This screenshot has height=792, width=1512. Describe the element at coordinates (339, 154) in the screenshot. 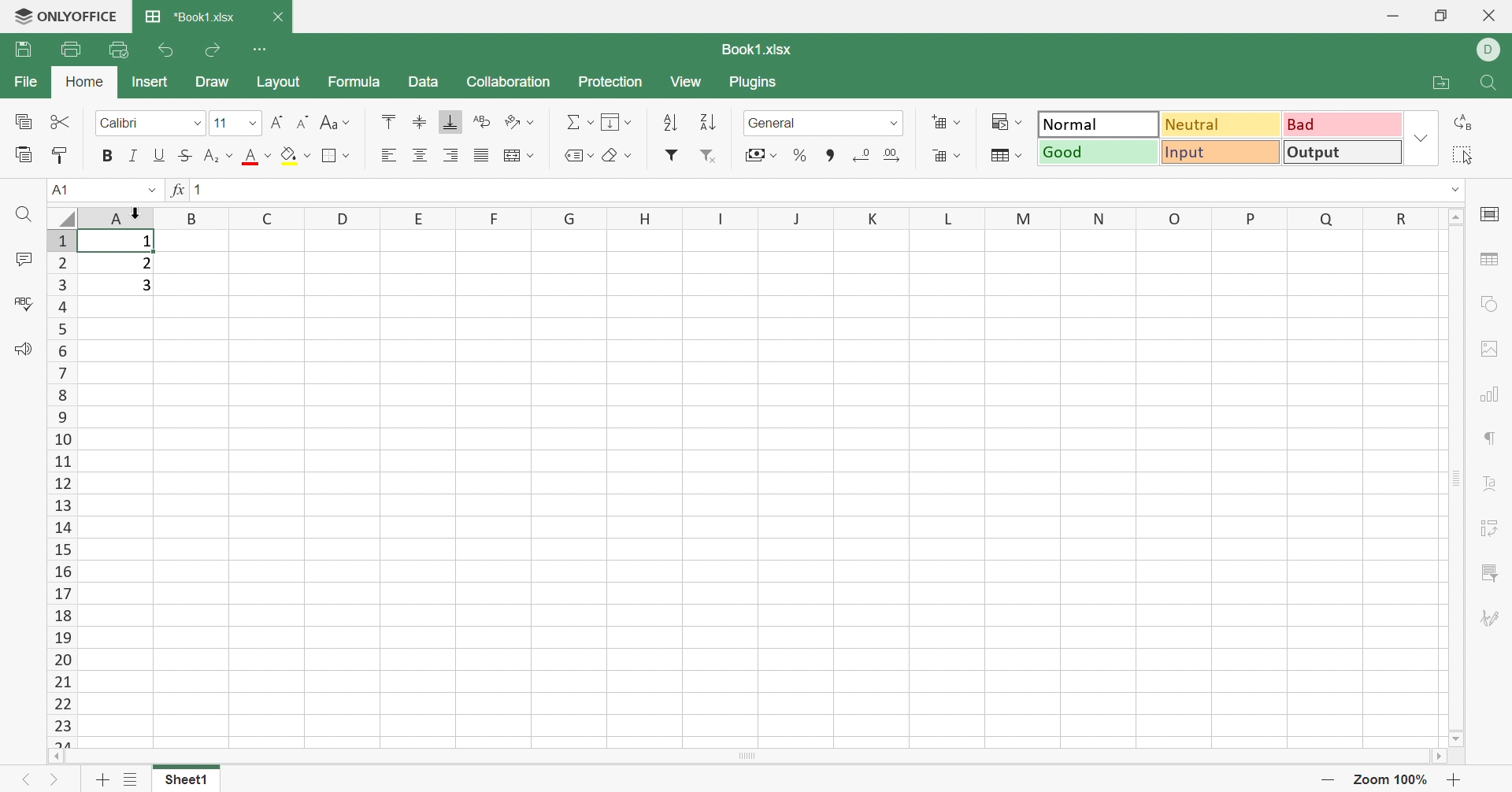

I see `Border` at that location.